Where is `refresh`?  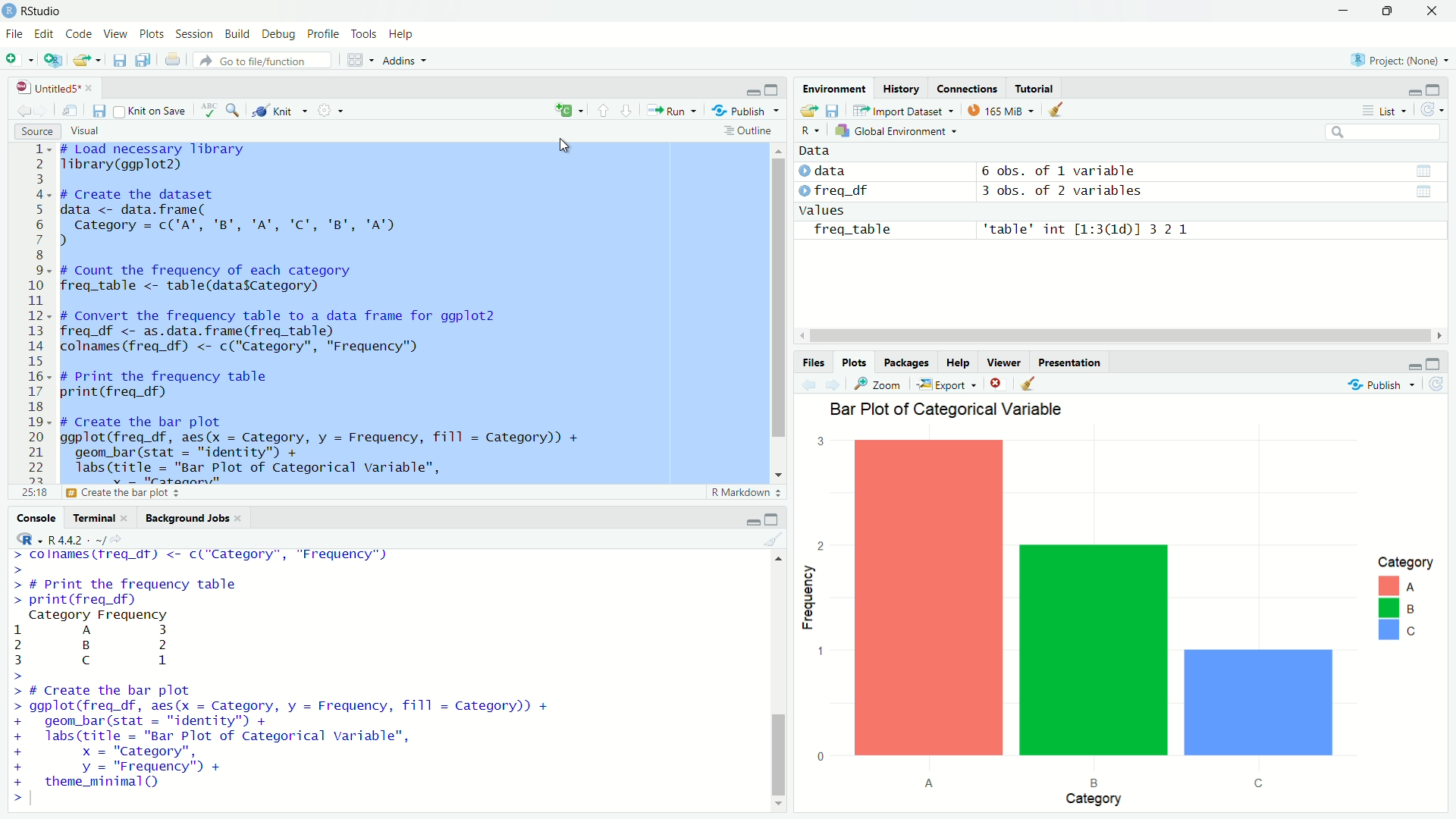 refresh is located at coordinates (1445, 388).